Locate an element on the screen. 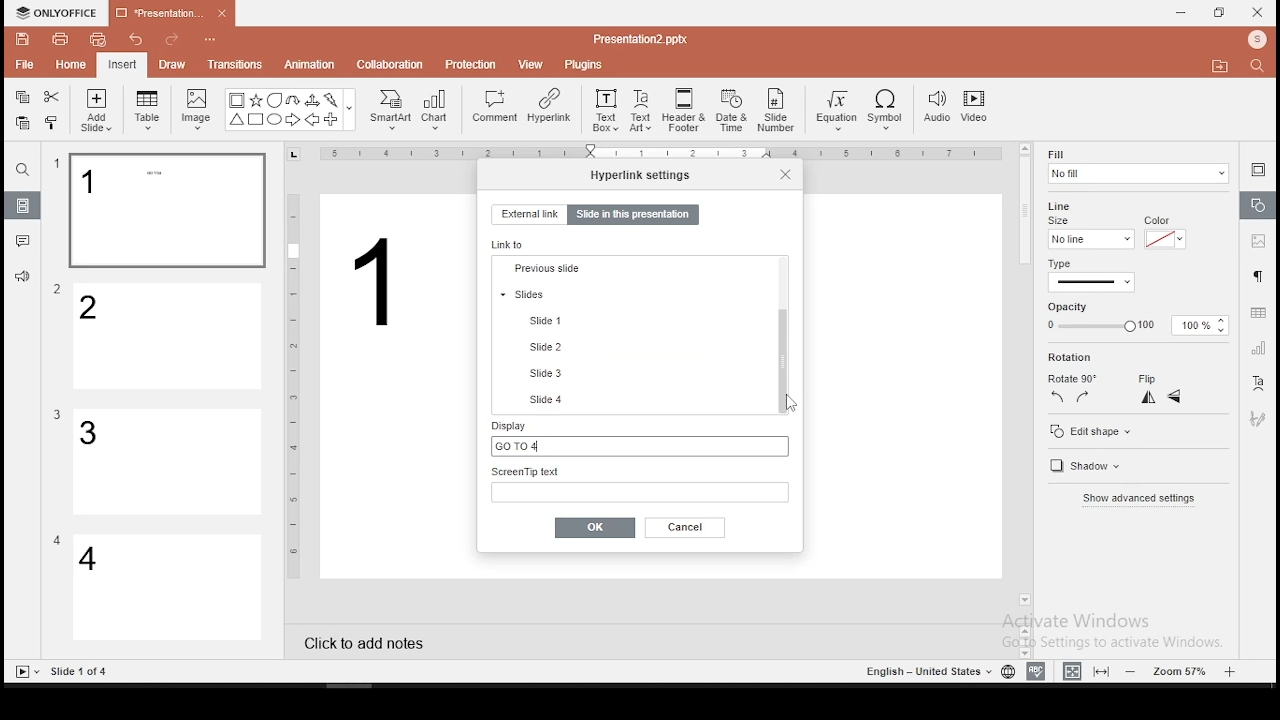  protection is located at coordinates (471, 63).